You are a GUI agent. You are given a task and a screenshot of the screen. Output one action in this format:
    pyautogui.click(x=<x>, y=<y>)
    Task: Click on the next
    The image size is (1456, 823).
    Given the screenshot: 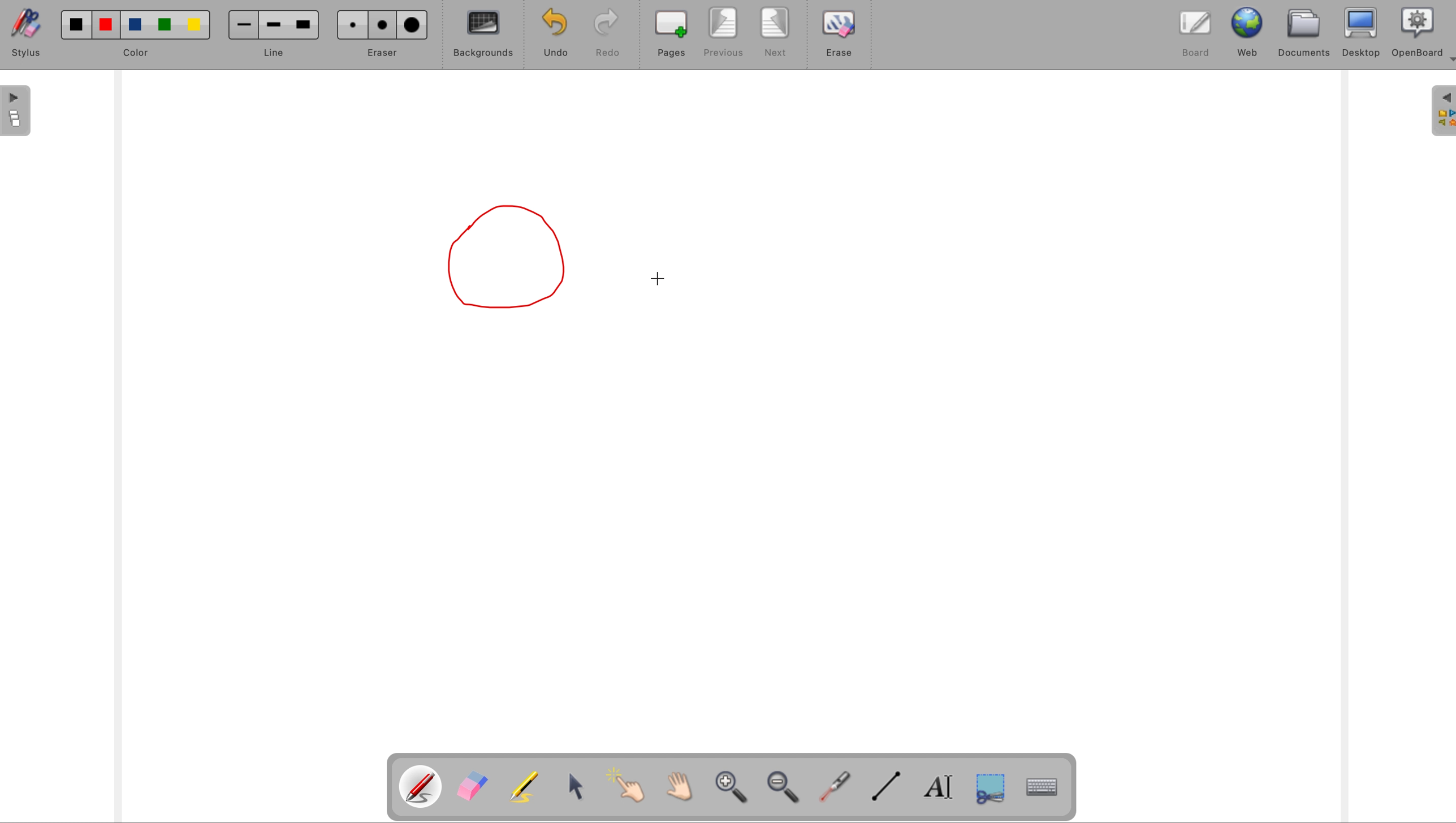 What is the action you would take?
    pyautogui.click(x=775, y=33)
    